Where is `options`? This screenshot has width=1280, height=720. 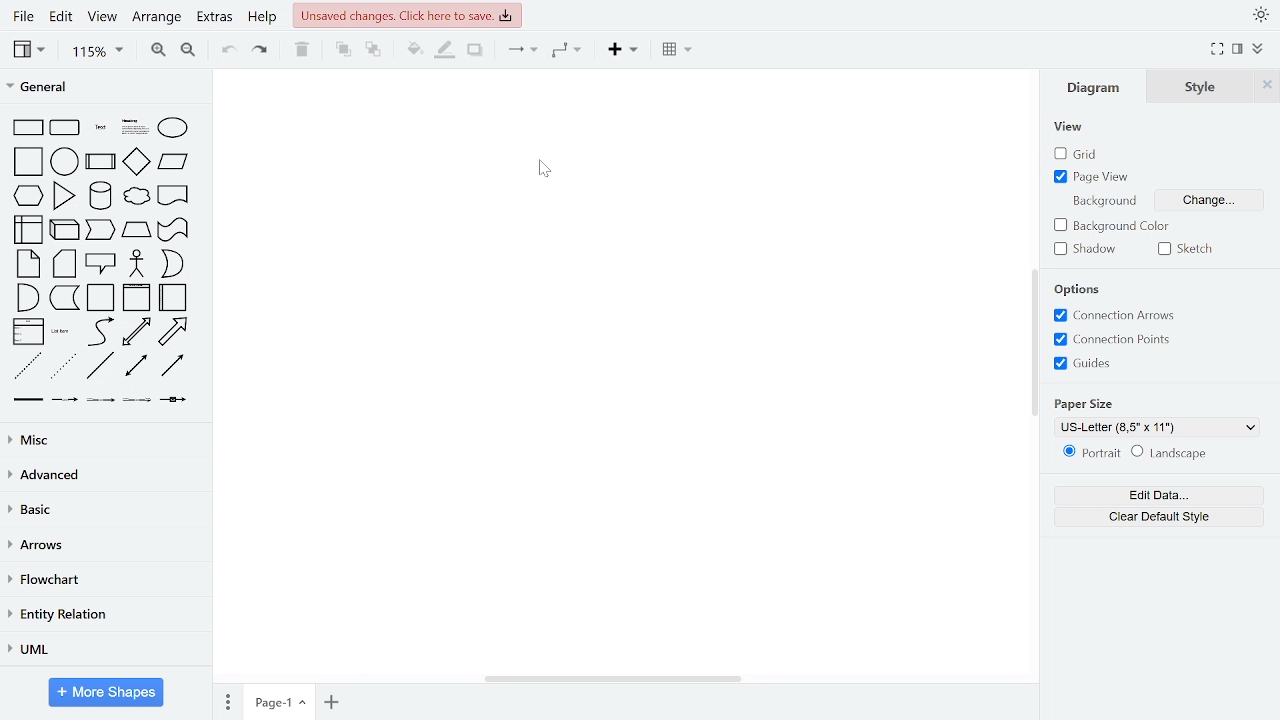
options is located at coordinates (1080, 289).